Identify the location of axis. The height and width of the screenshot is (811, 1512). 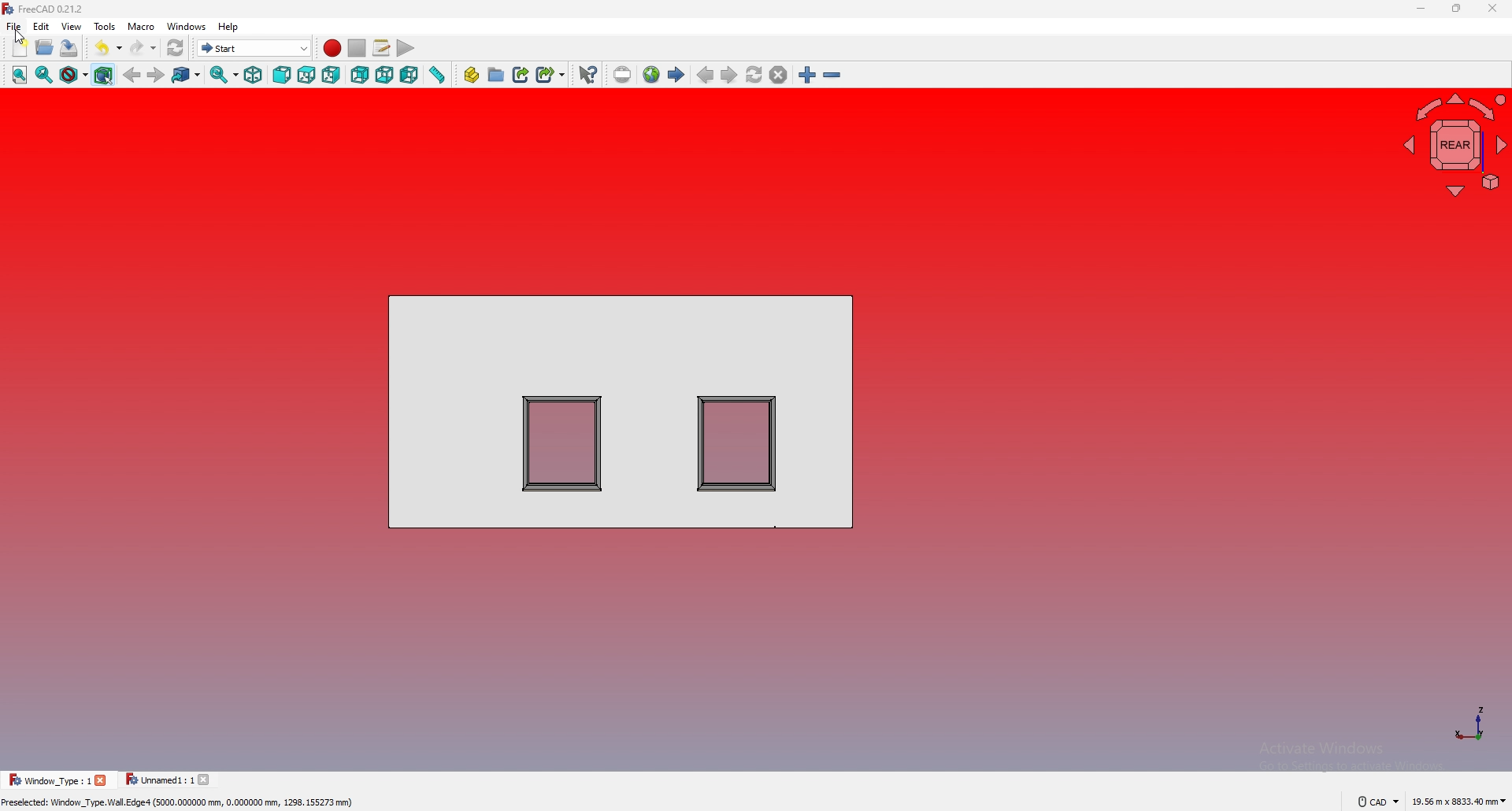
(1469, 723).